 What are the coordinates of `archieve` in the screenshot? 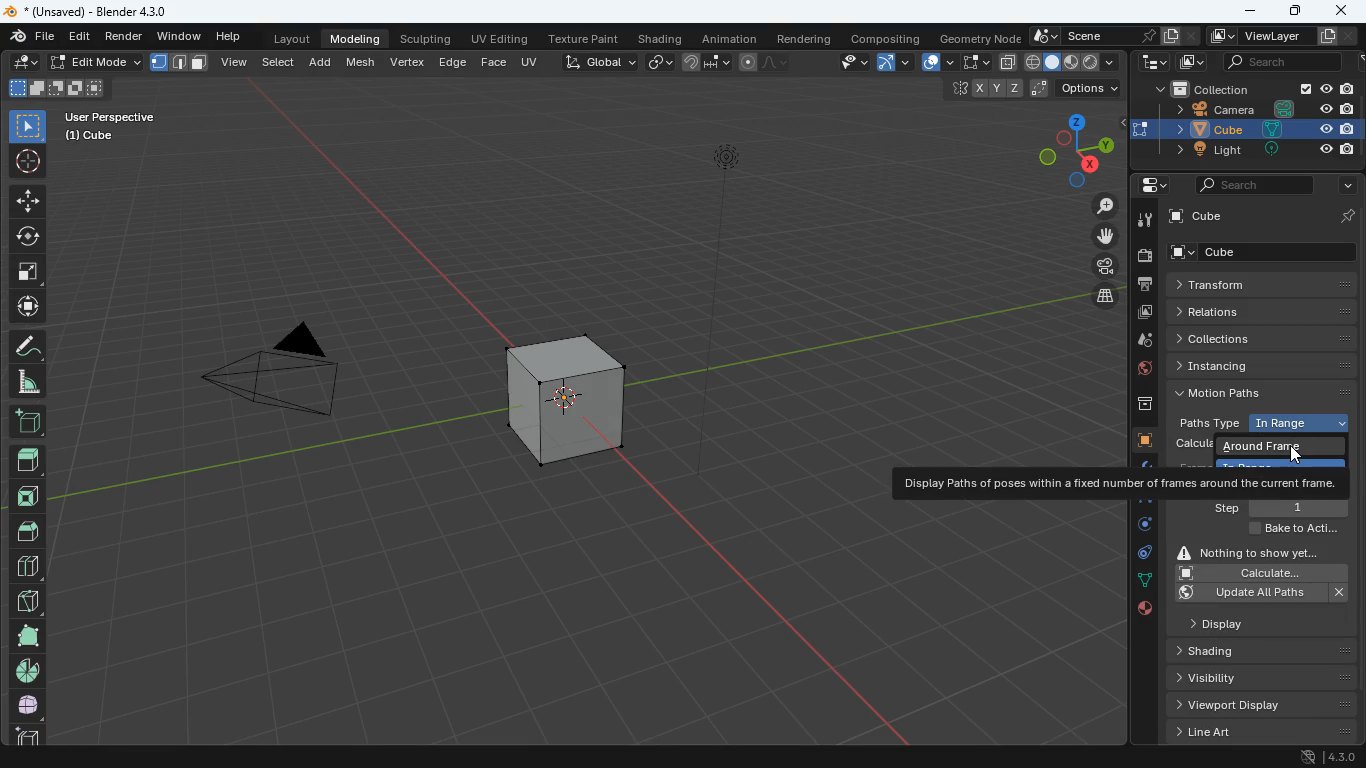 It's located at (1141, 406).